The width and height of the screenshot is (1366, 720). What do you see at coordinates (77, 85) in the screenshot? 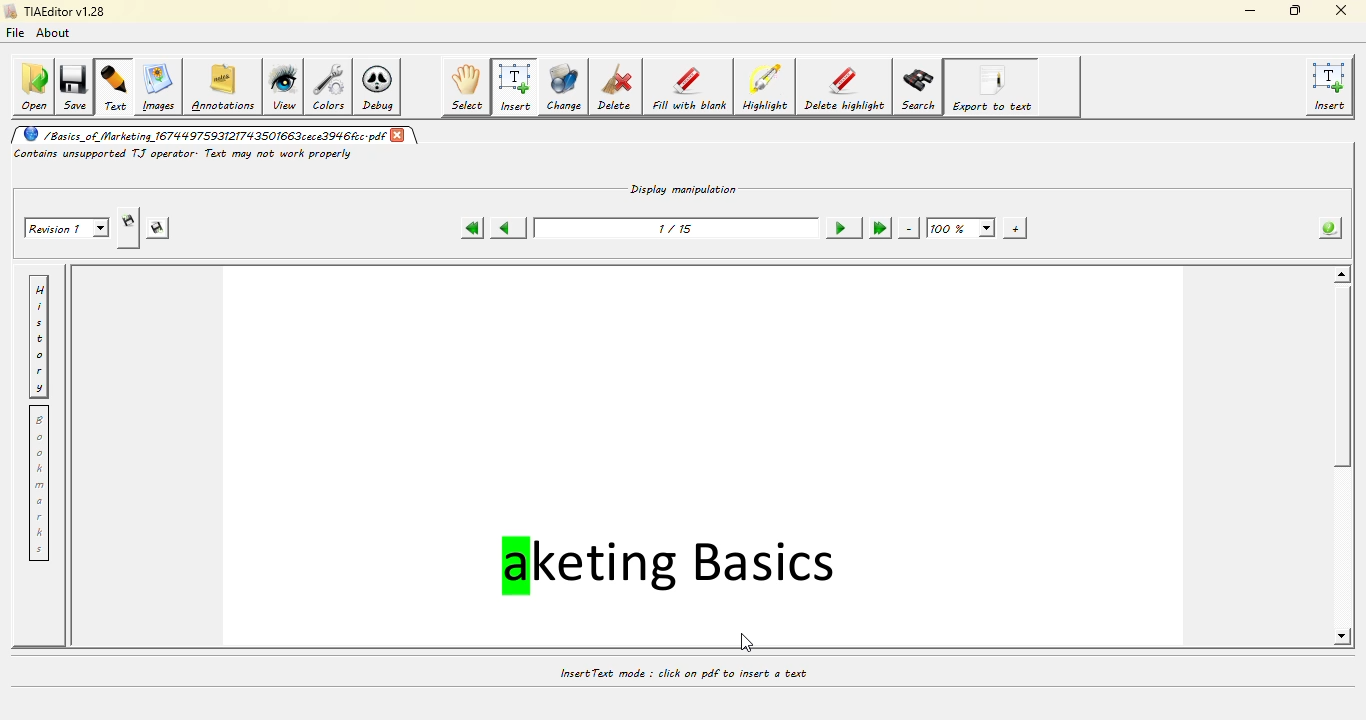
I see `save` at bounding box center [77, 85].